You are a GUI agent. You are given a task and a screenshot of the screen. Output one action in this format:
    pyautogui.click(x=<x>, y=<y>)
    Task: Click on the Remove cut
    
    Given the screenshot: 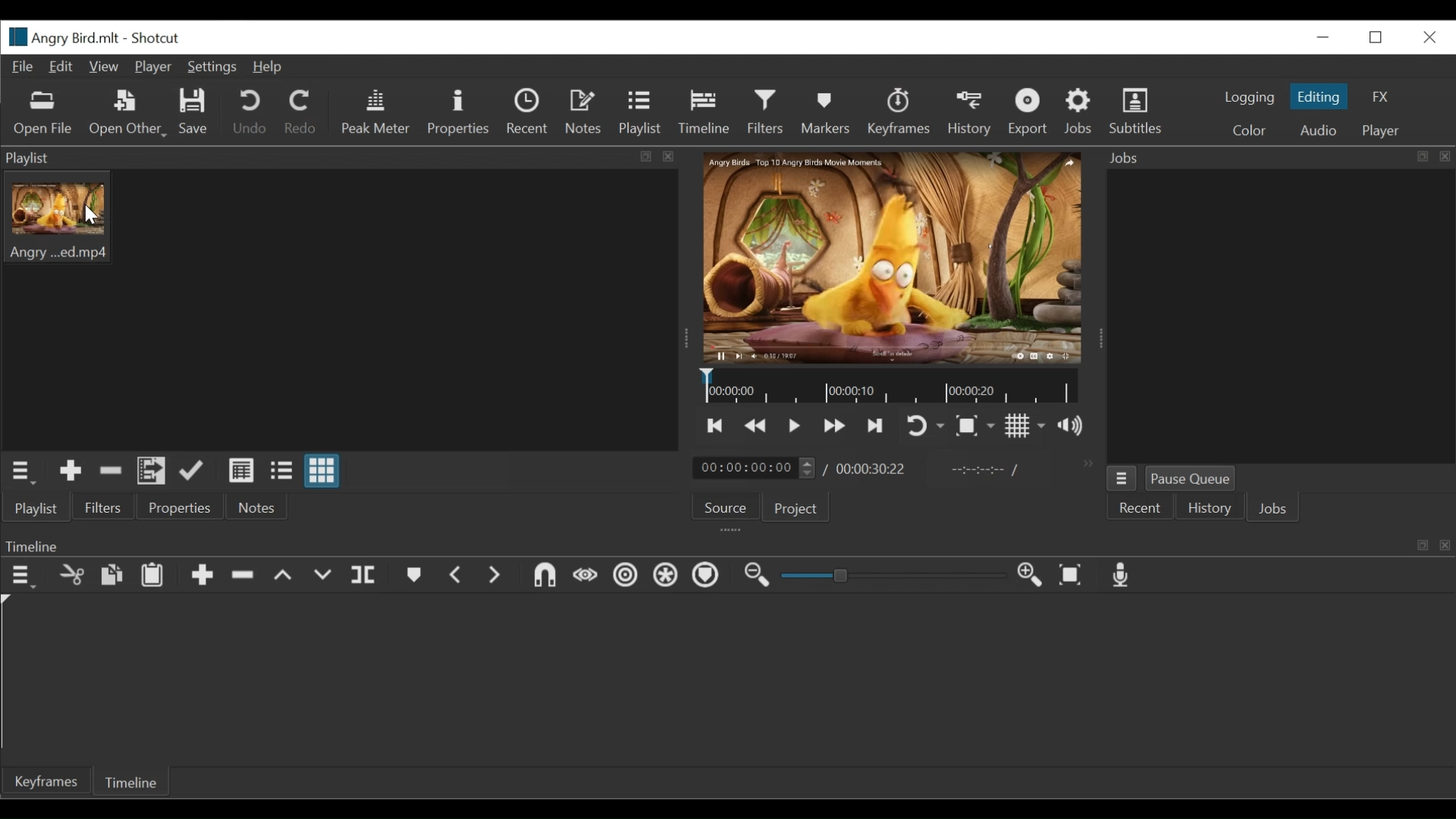 What is the action you would take?
    pyautogui.click(x=72, y=577)
    